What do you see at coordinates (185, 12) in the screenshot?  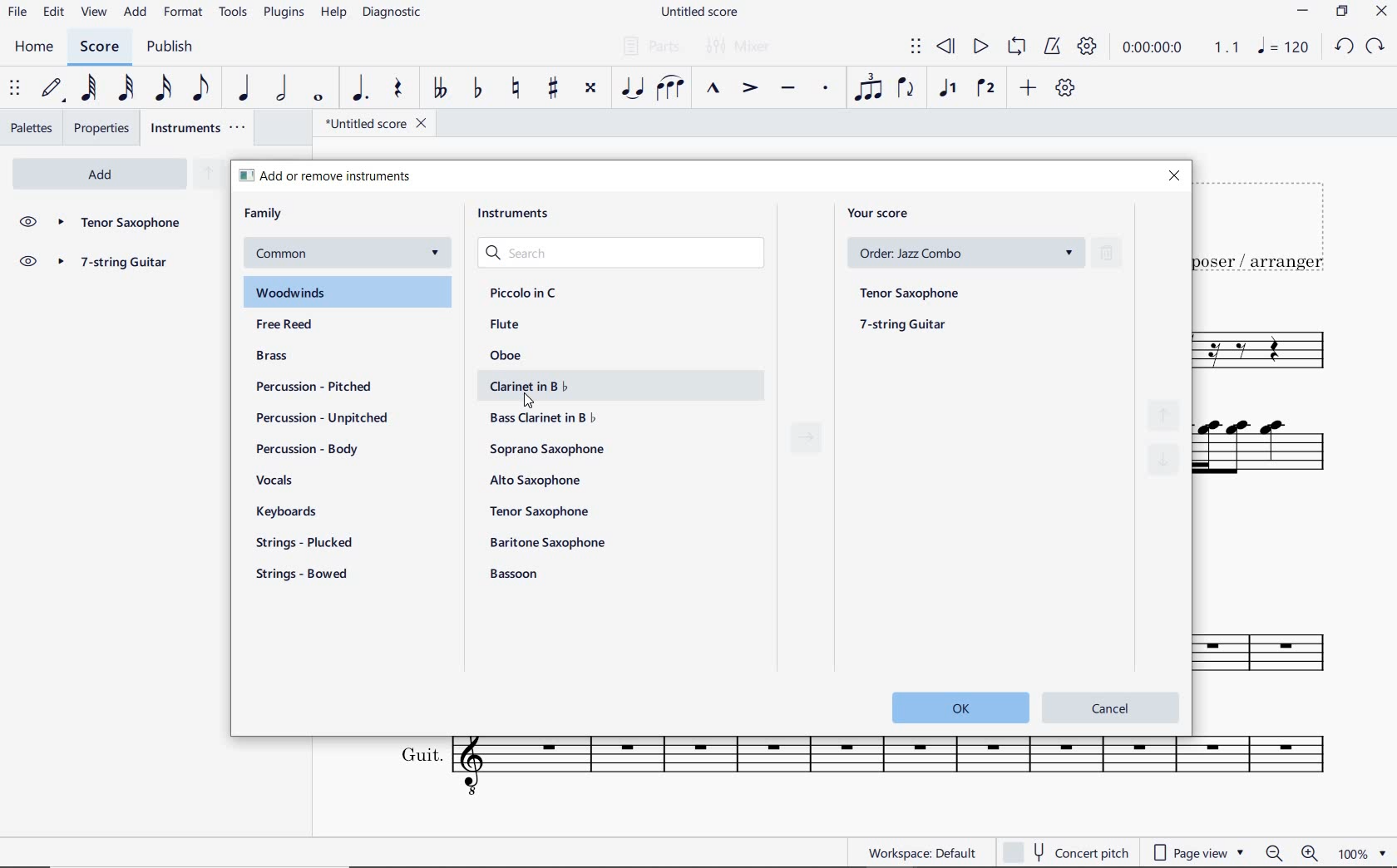 I see `FORMAT` at bounding box center [185, 12].